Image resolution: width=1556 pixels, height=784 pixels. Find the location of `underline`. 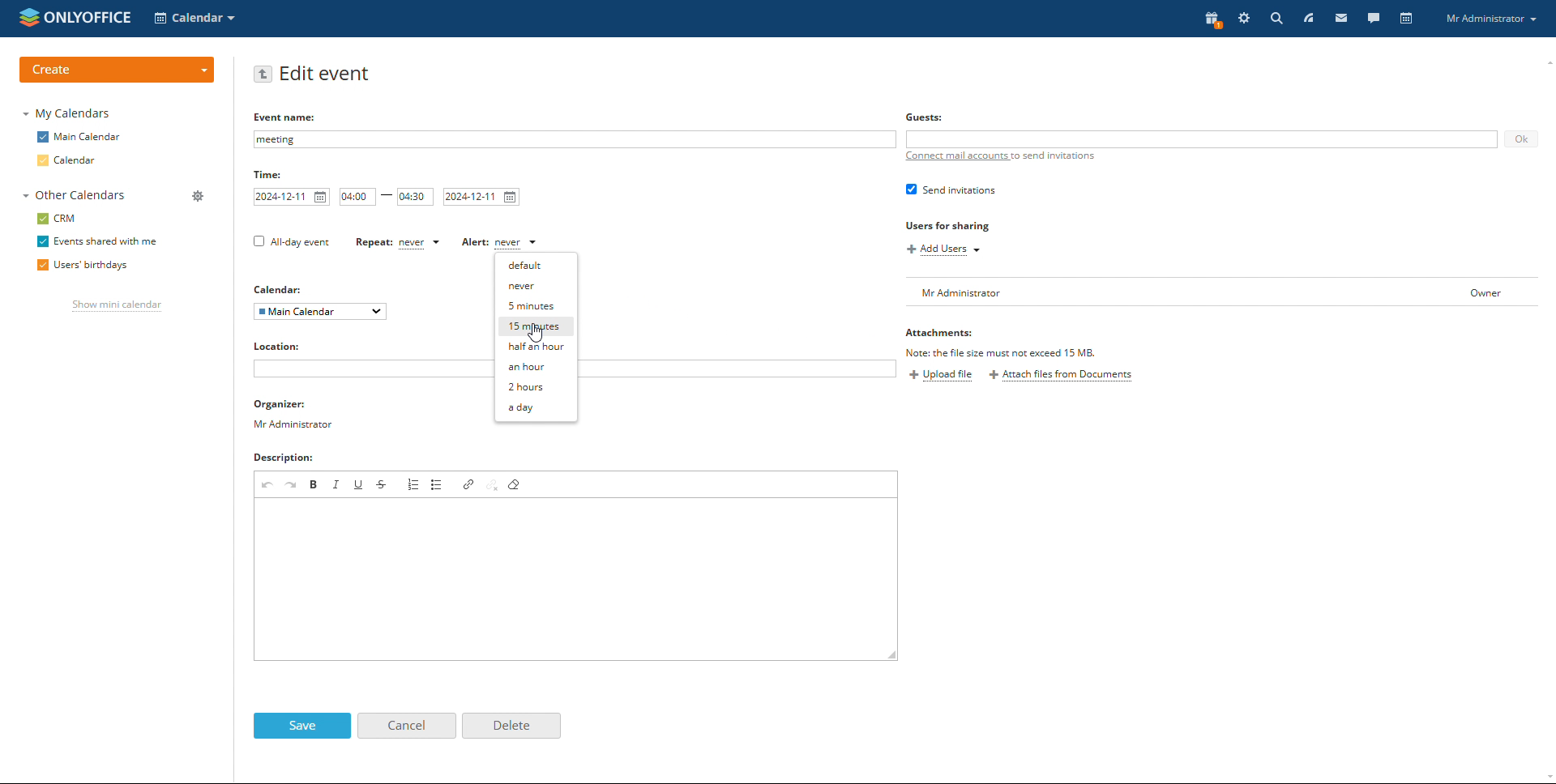

underline is located at coordinates (359, 484).